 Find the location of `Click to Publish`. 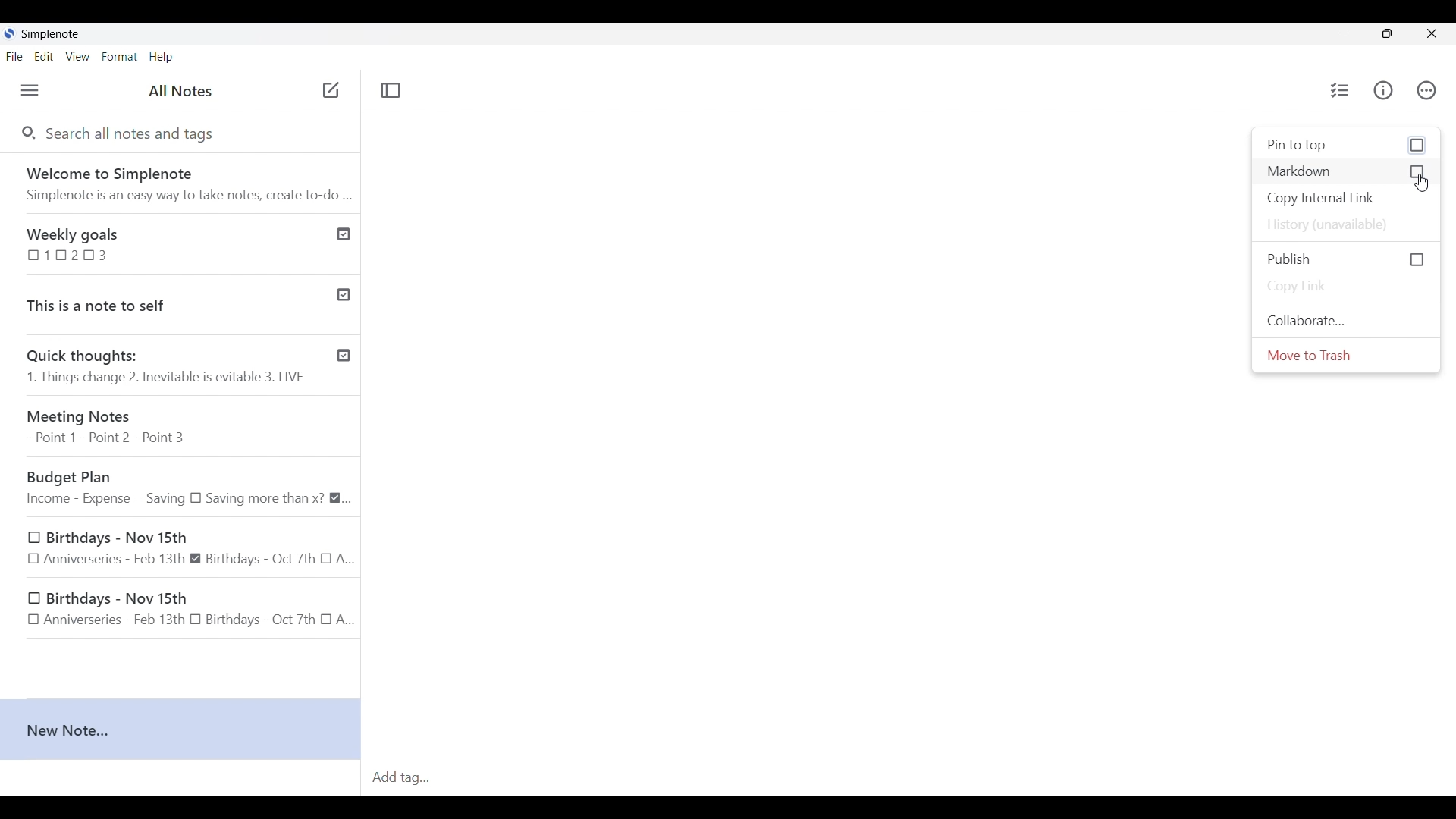

Click to Publish is located at coordinates (1346, 259).